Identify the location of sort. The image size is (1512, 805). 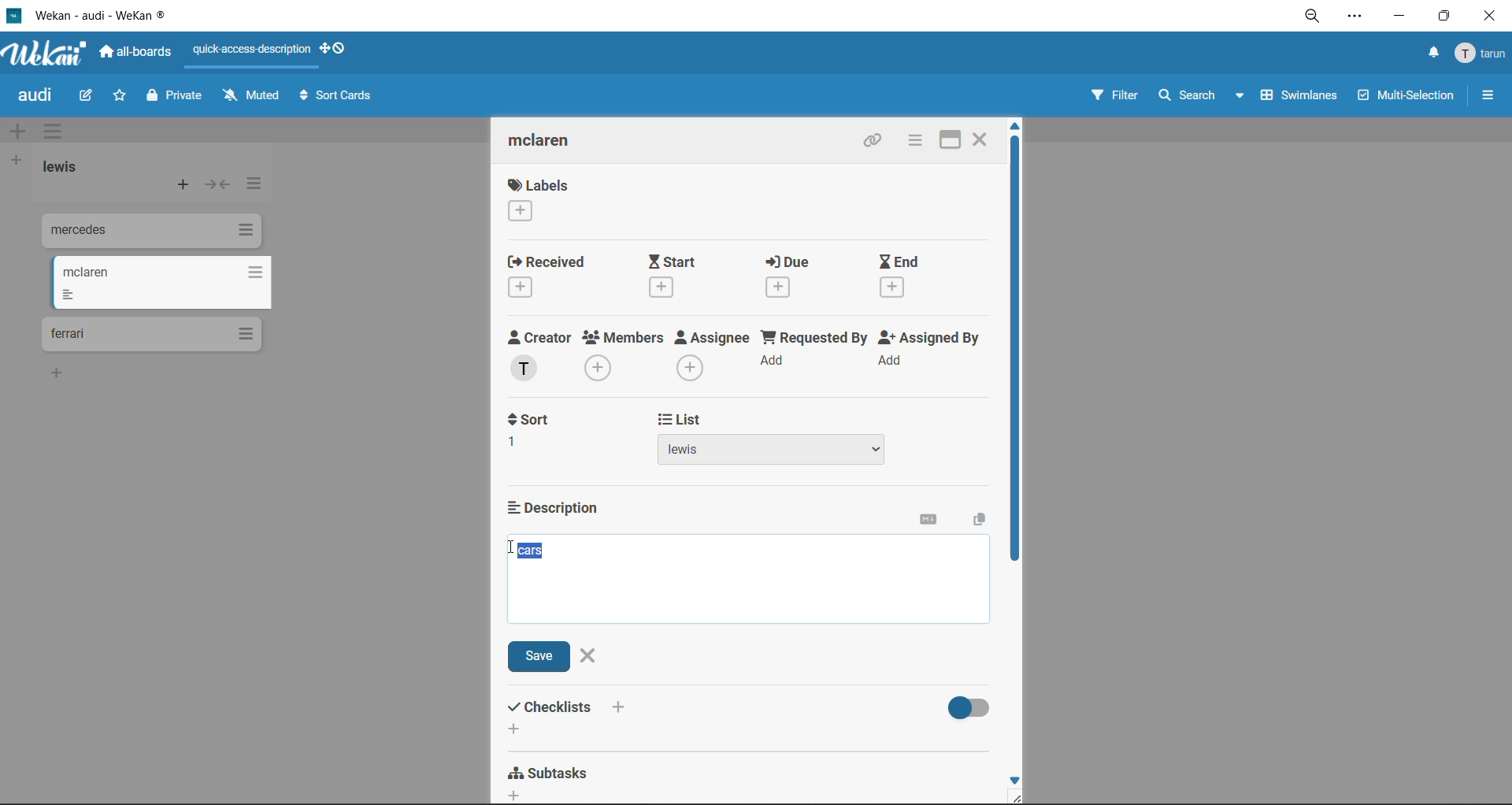
(539, 431).